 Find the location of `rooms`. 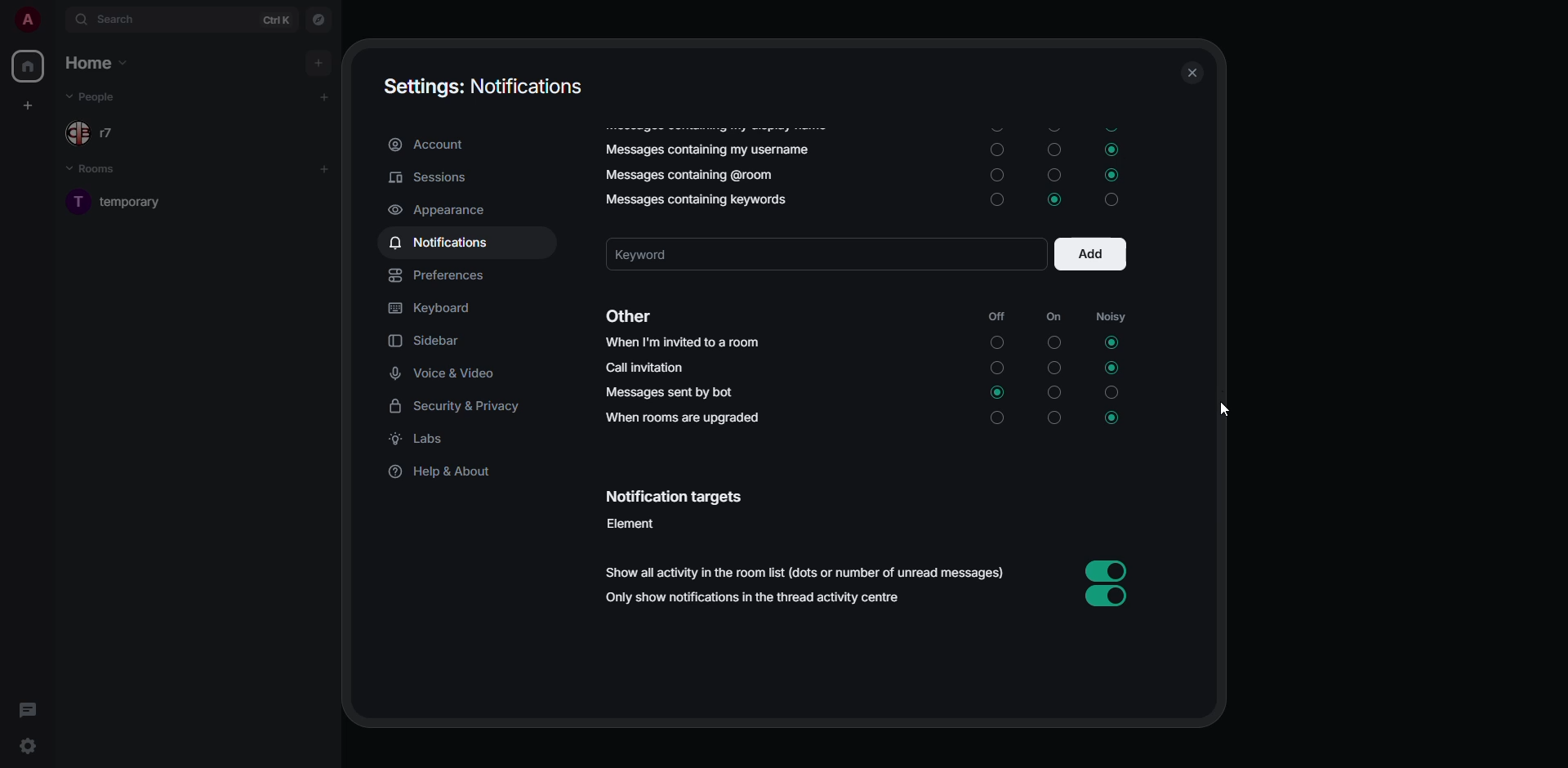

rooms is located at coordinates (101, 171).